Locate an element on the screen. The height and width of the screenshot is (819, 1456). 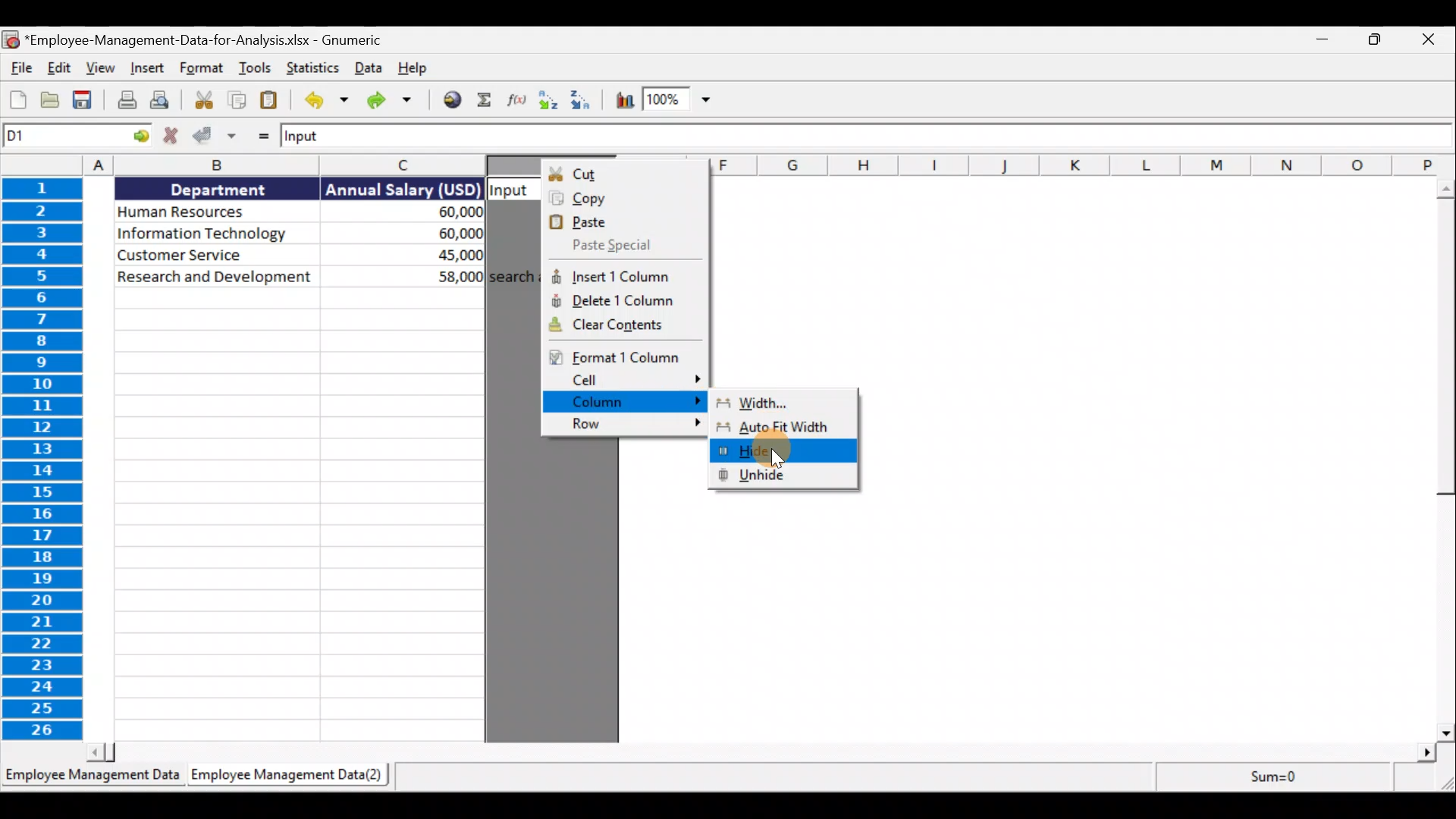
Insert 1 column is located at coordinates (621, 275).